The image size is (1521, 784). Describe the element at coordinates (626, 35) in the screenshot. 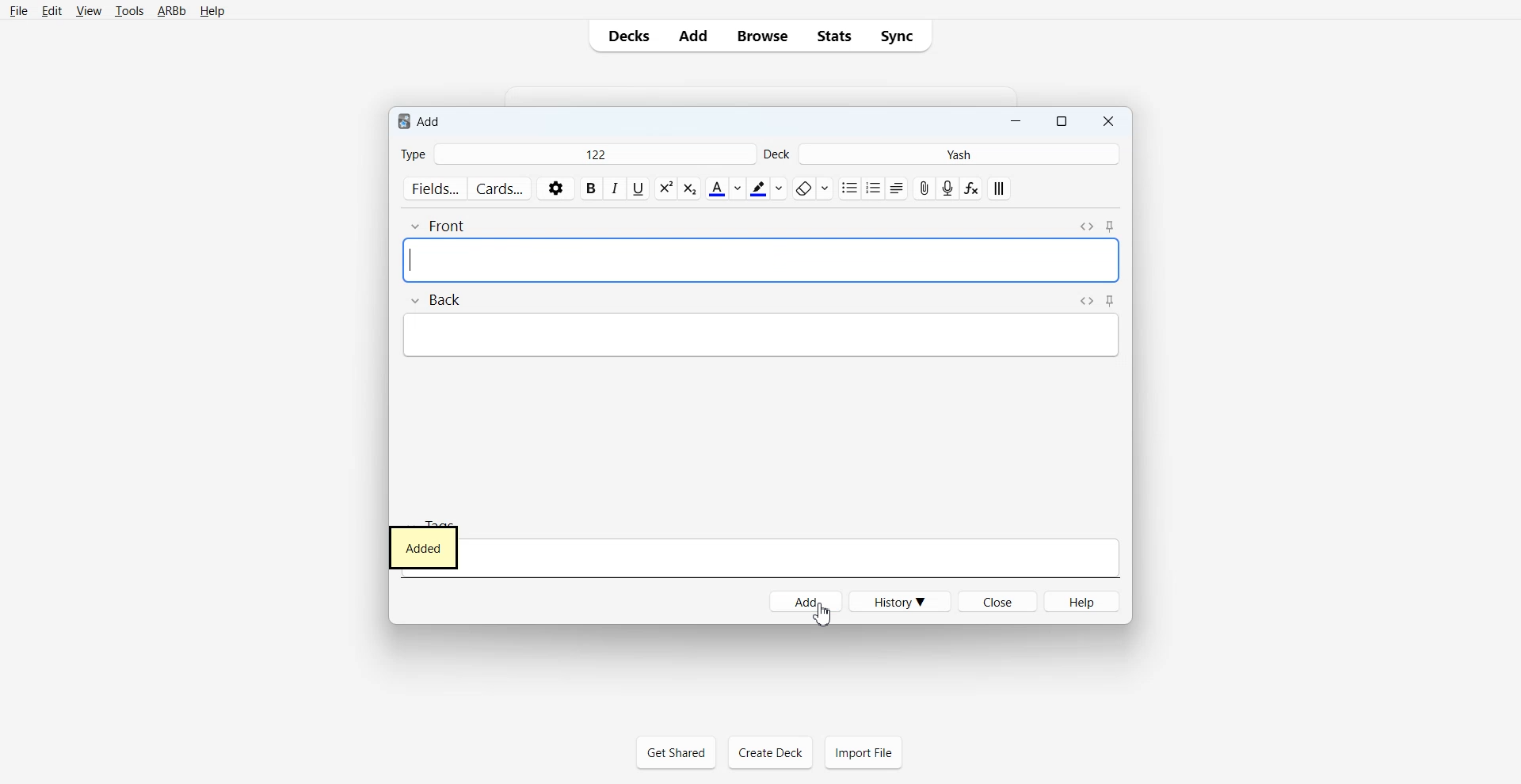

I see `Decks` at that location.